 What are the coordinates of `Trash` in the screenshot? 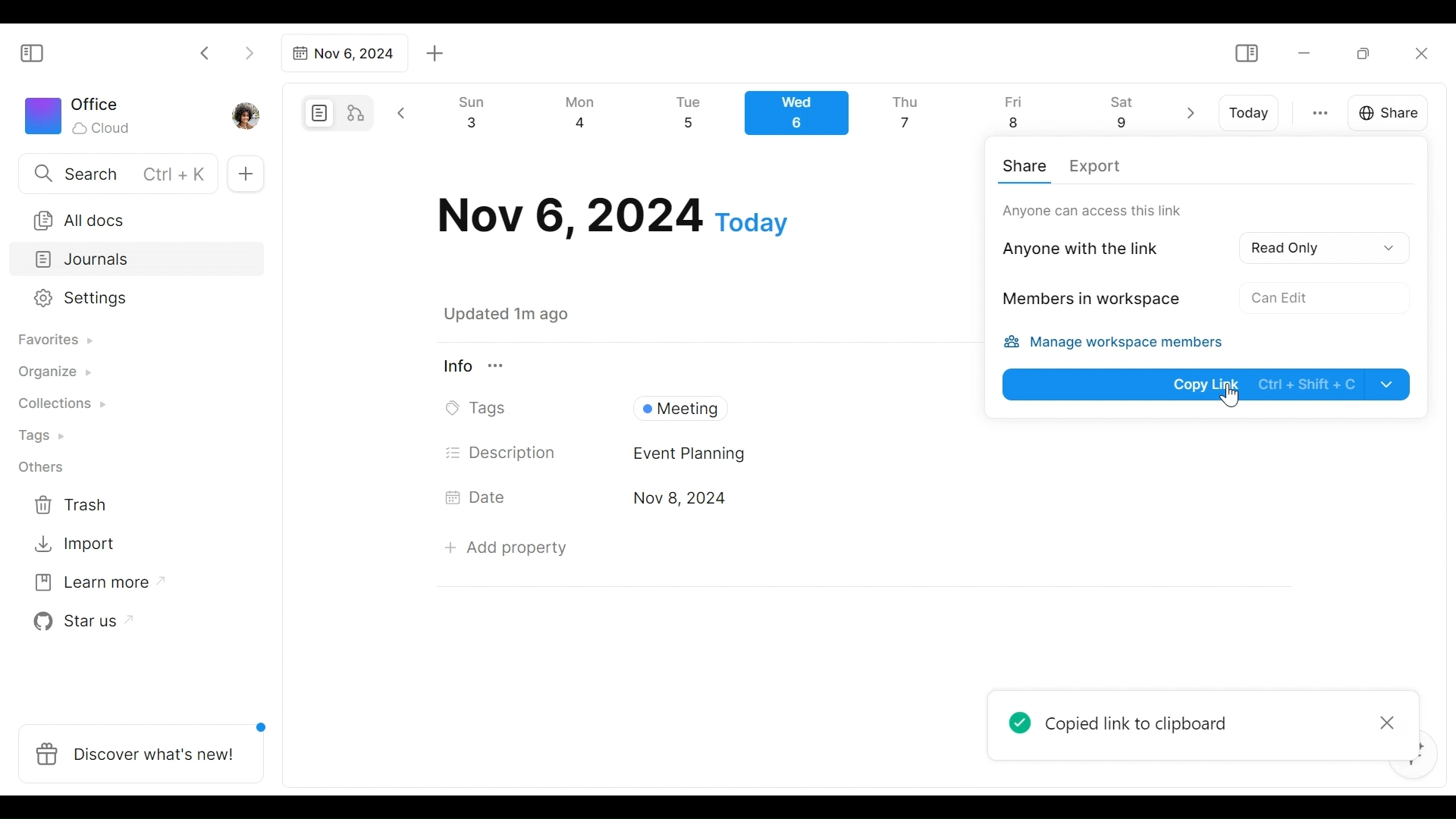 It's located at (72, 505).